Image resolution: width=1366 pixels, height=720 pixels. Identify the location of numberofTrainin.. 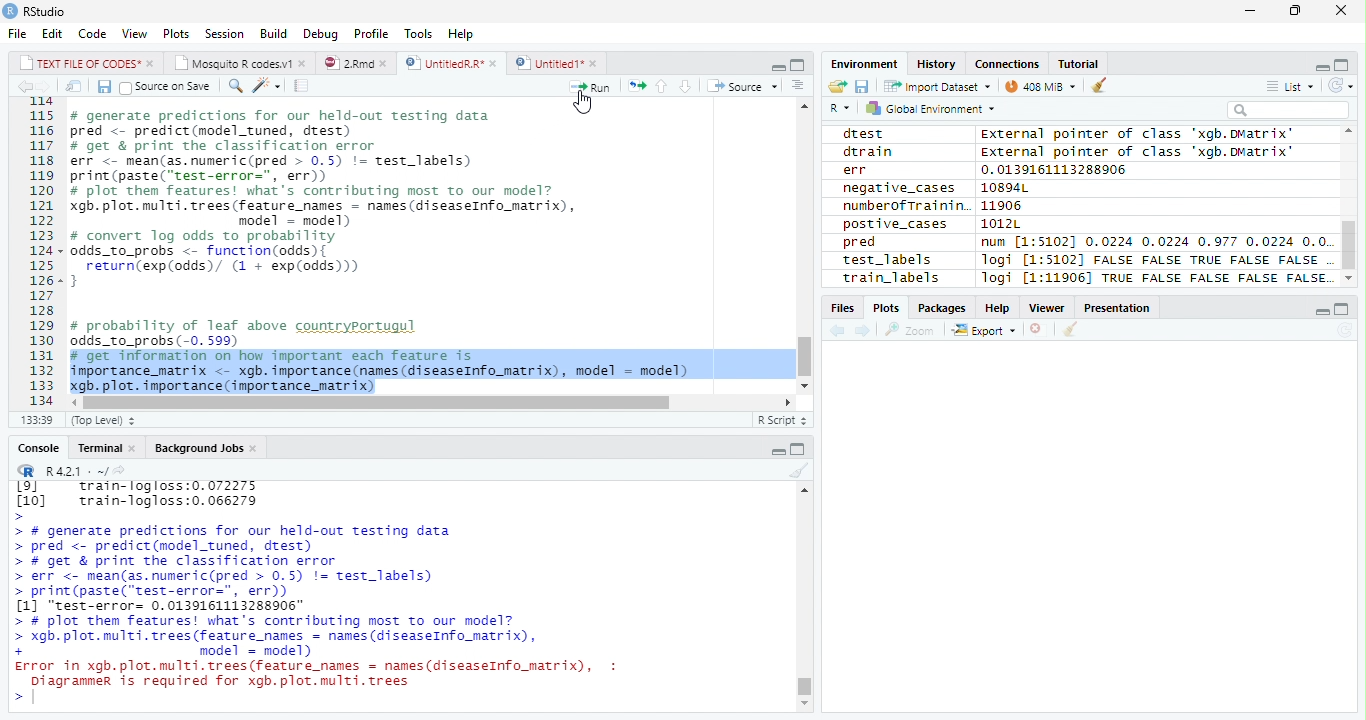
(904, 205).